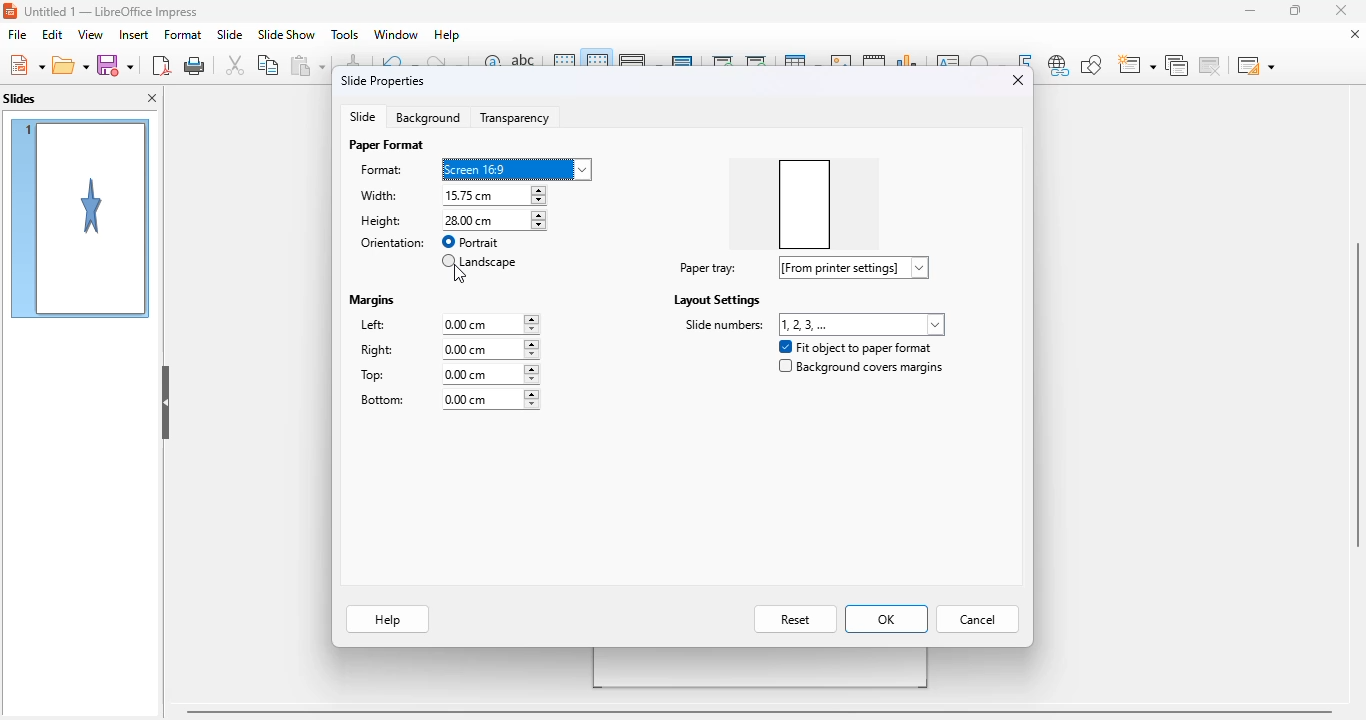  Describe the element at coordinates (10, 11) in the screenshot. I see `logo` at that location.